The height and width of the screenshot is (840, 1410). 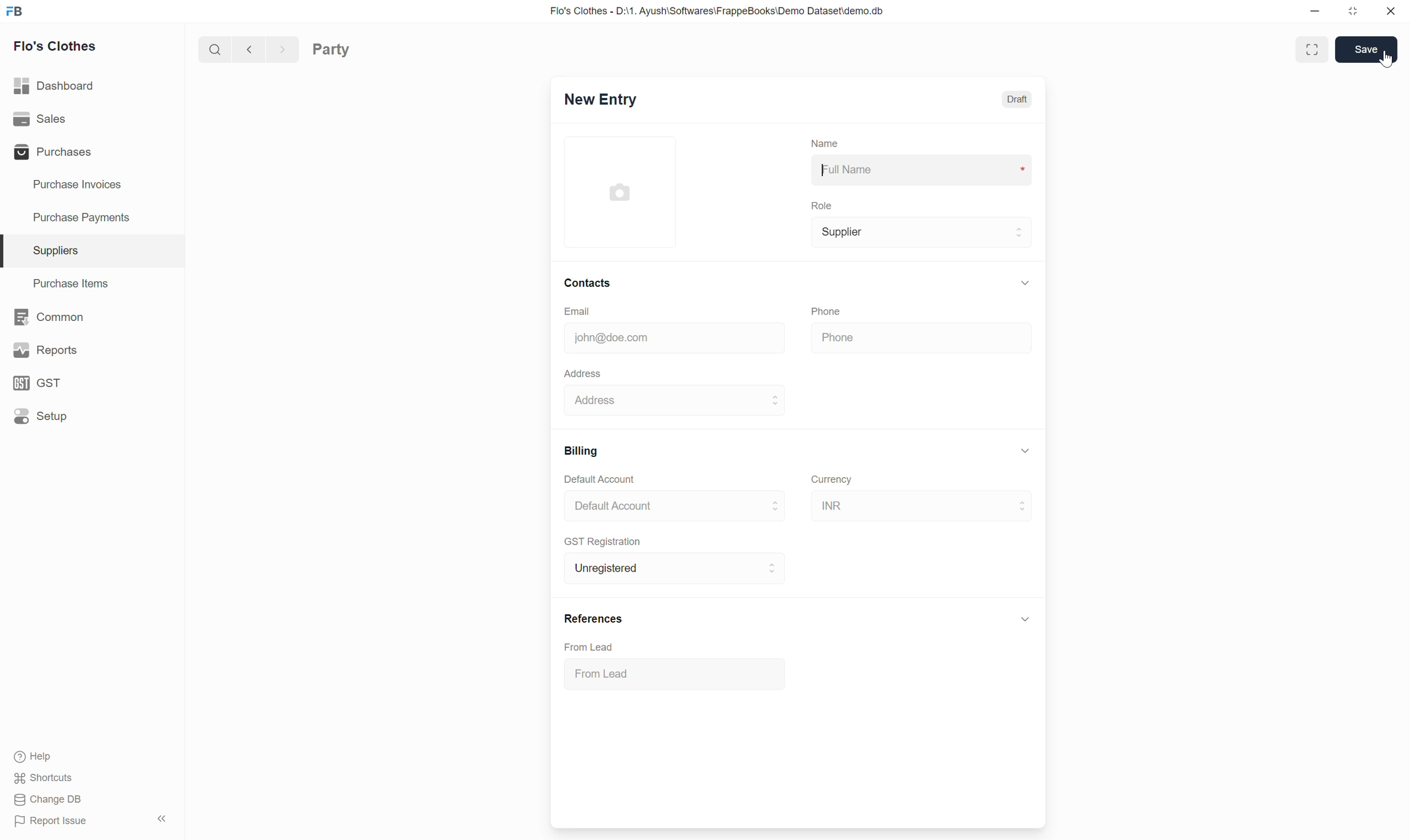 What do you see at coordinates (91, 185) in the screenshot?
I see `Purchase Invoices` at bounding box center [91, 185].